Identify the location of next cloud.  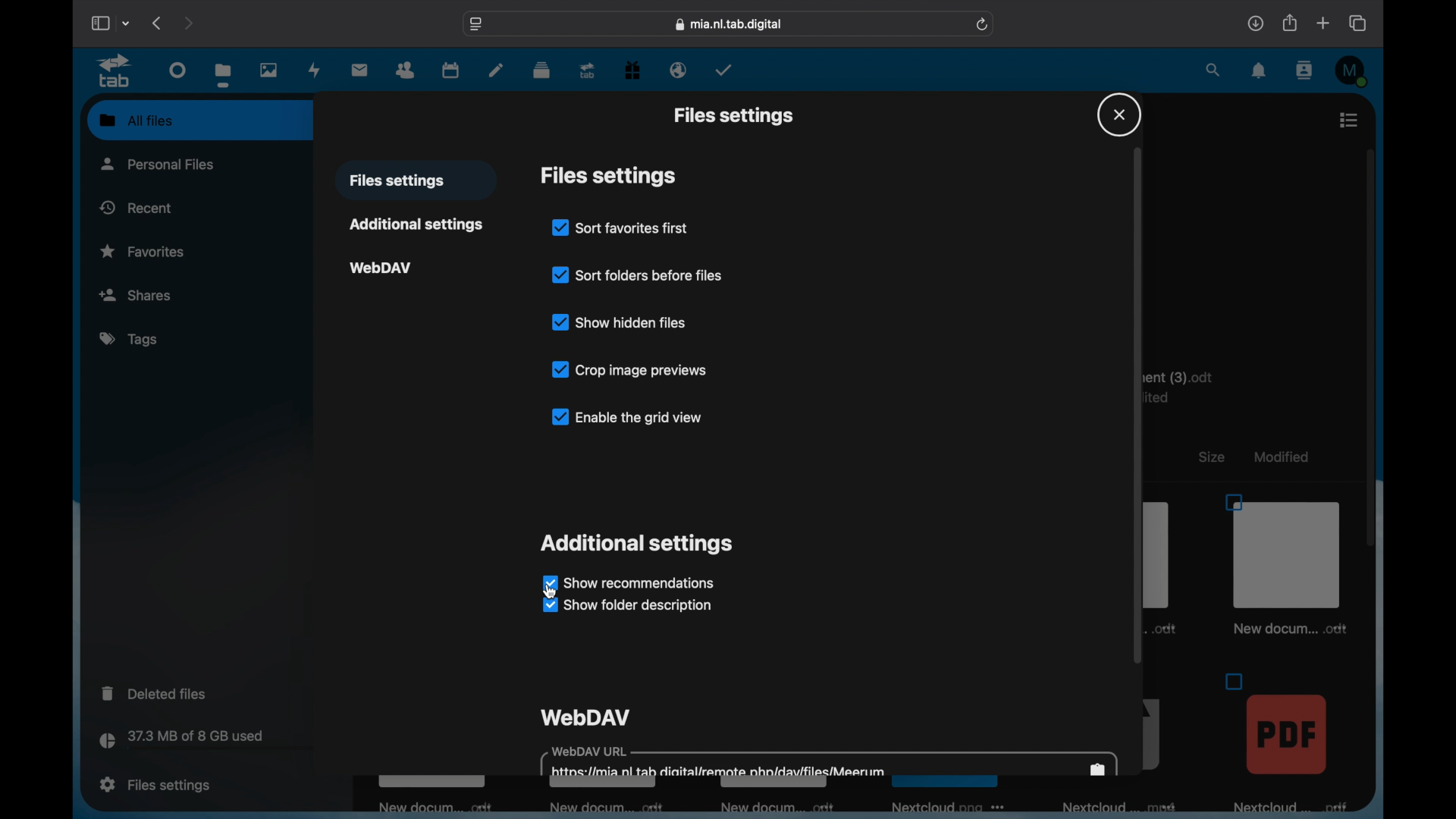
(1111, 808).